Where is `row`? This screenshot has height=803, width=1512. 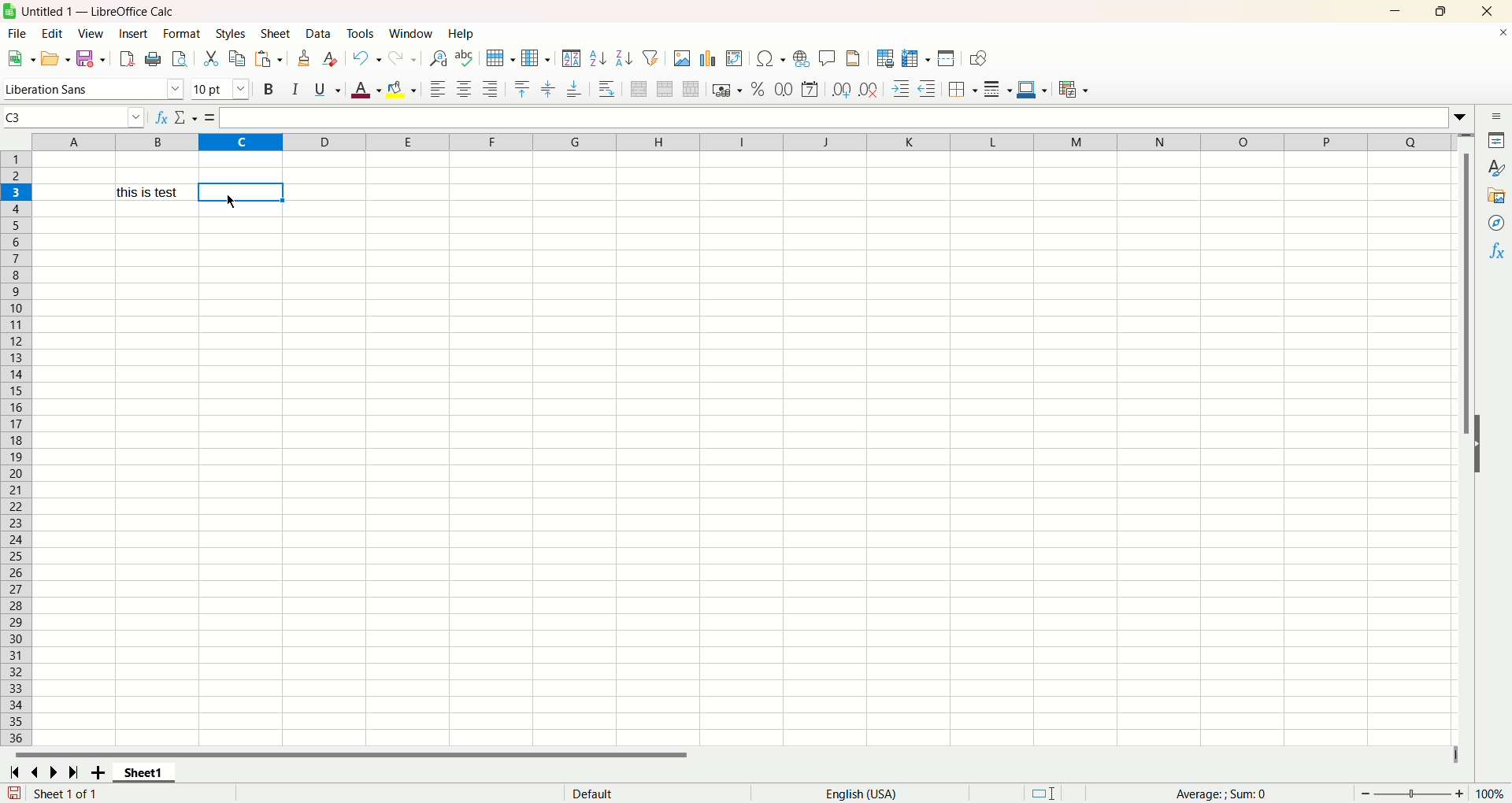 row is located at coordinates (498, 59).